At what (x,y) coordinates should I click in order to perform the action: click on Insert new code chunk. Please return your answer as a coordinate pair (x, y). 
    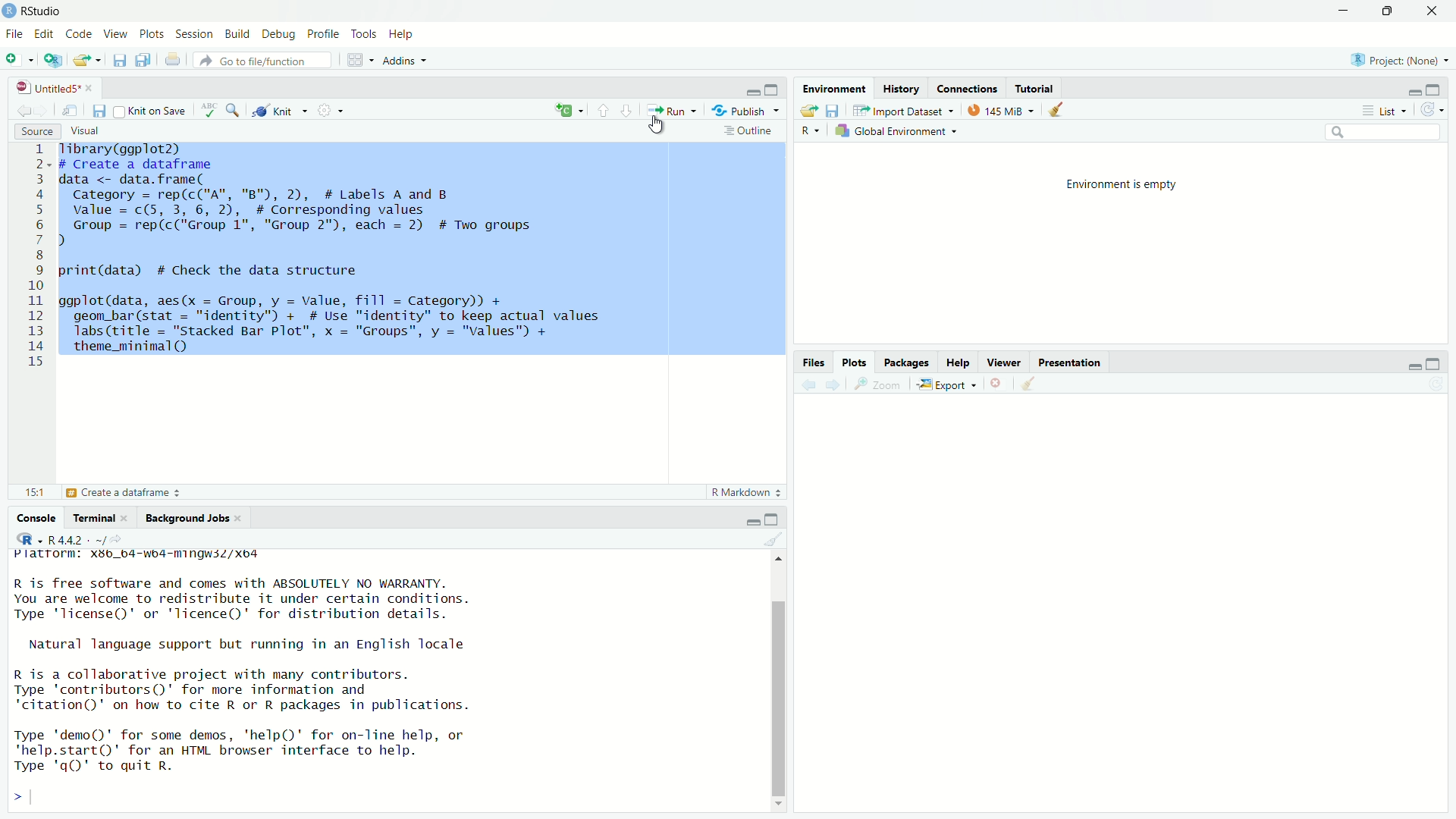
    Looking at the image, I should click on (566, 108).